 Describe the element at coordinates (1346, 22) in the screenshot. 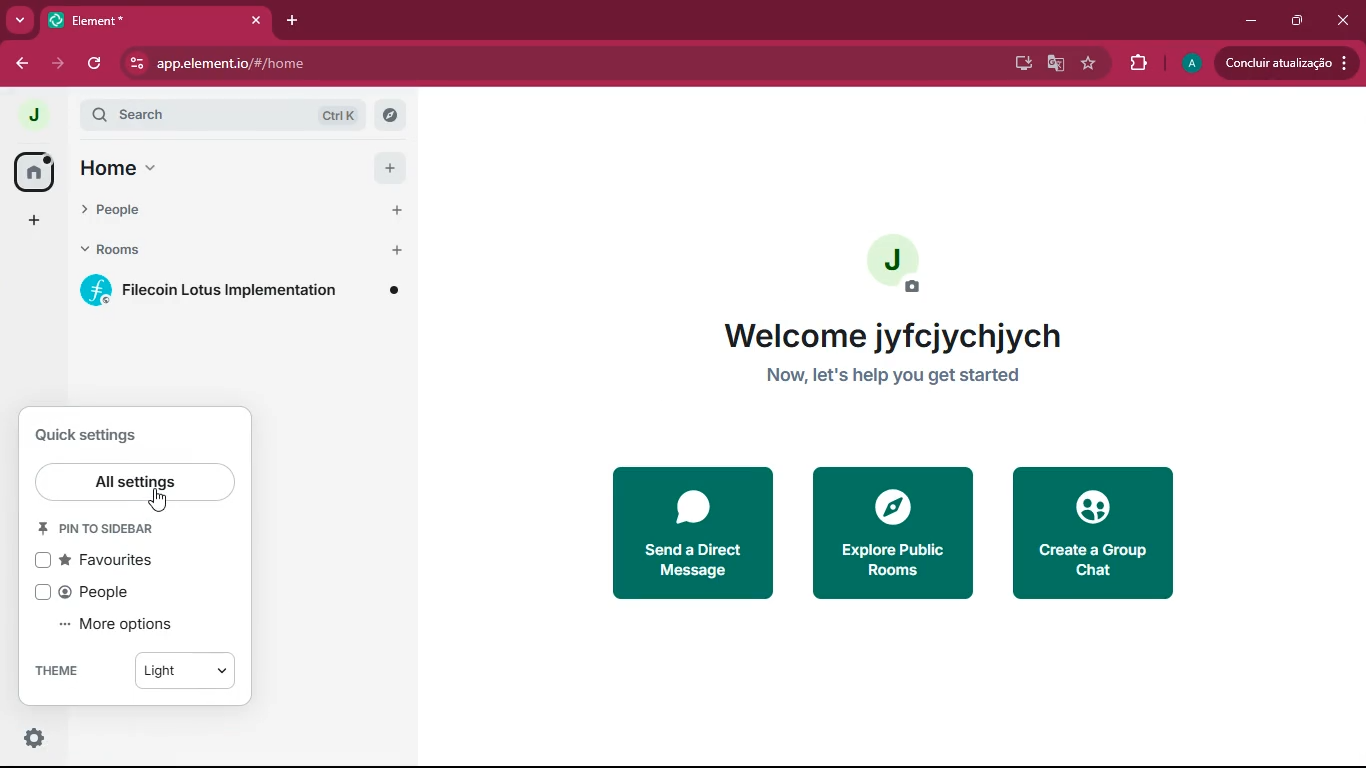

I see `click` at that location.